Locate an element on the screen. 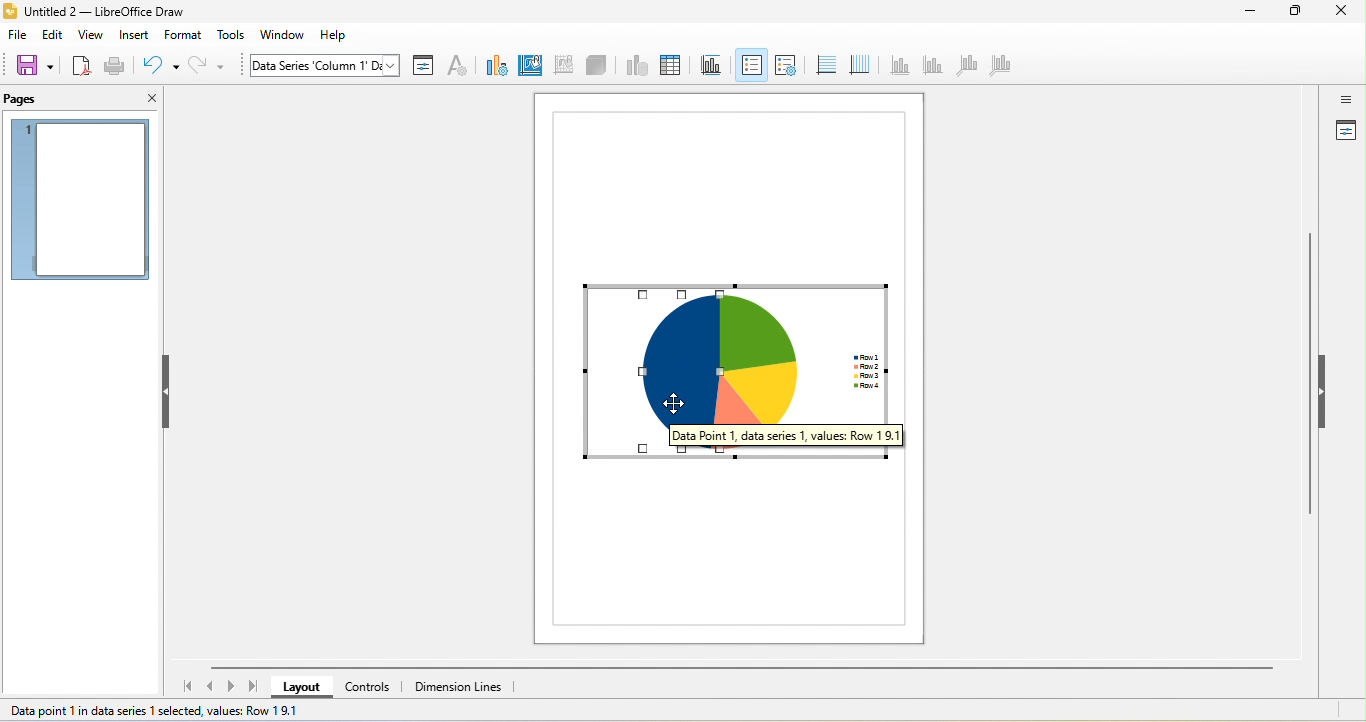  z axis is located at coordinates (964, 65).